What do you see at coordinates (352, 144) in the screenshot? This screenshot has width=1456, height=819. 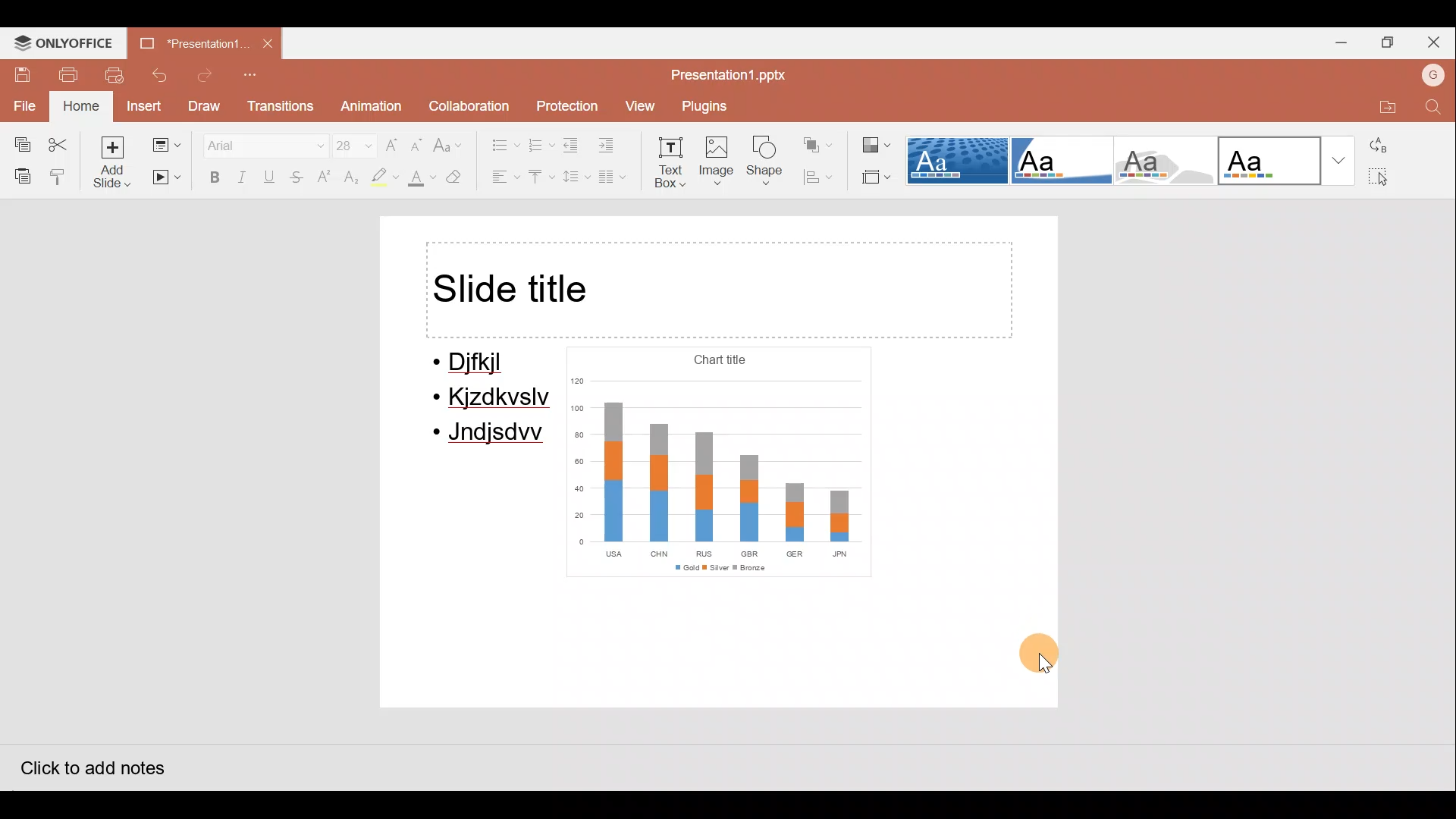 I see `Font size` at bounding box center [352, 144].